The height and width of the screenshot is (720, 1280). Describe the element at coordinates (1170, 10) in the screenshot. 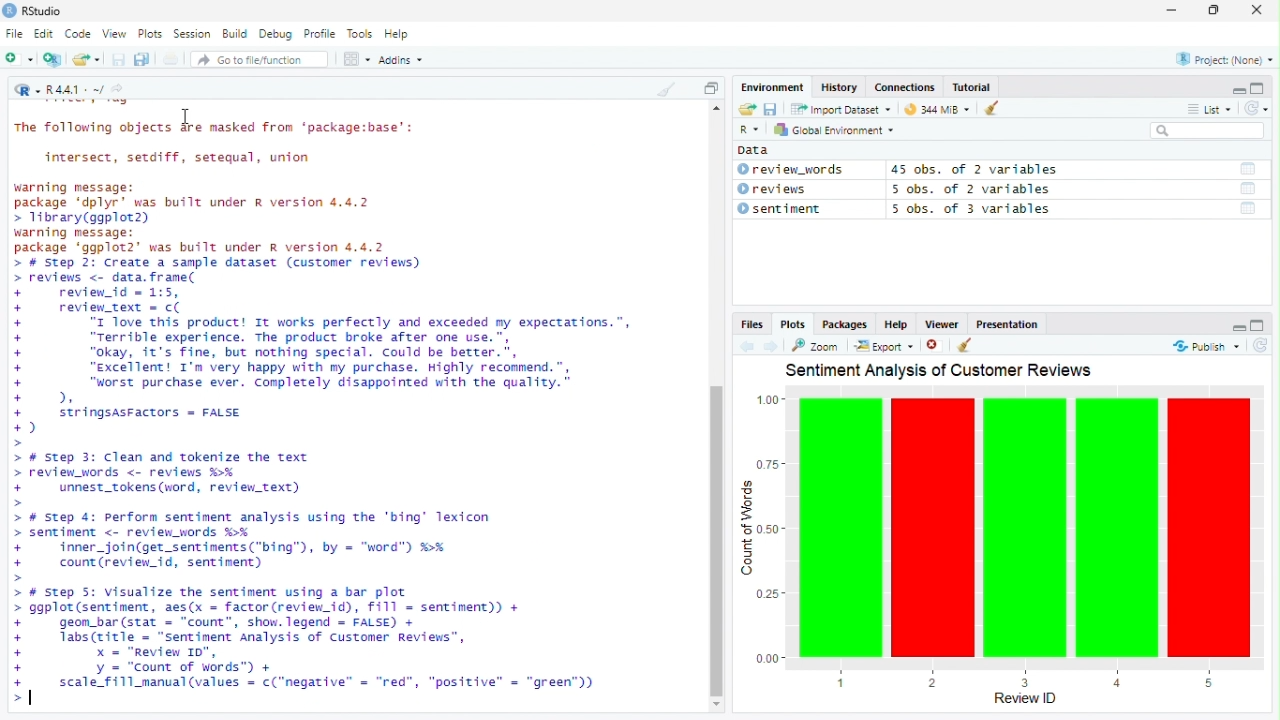

I see `Minimize` at that location.